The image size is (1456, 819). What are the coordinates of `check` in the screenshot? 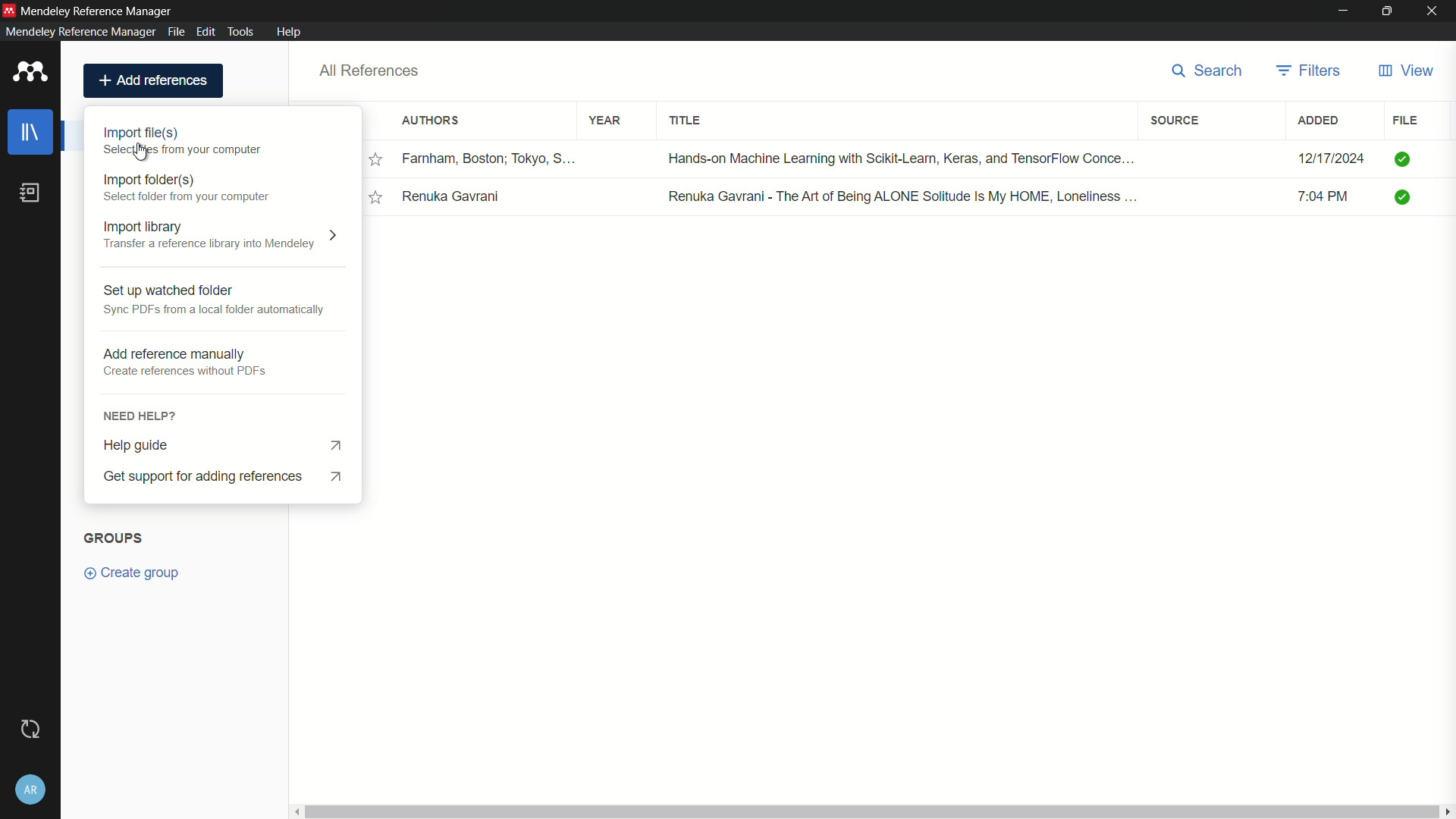 It's located at (1404, 158).